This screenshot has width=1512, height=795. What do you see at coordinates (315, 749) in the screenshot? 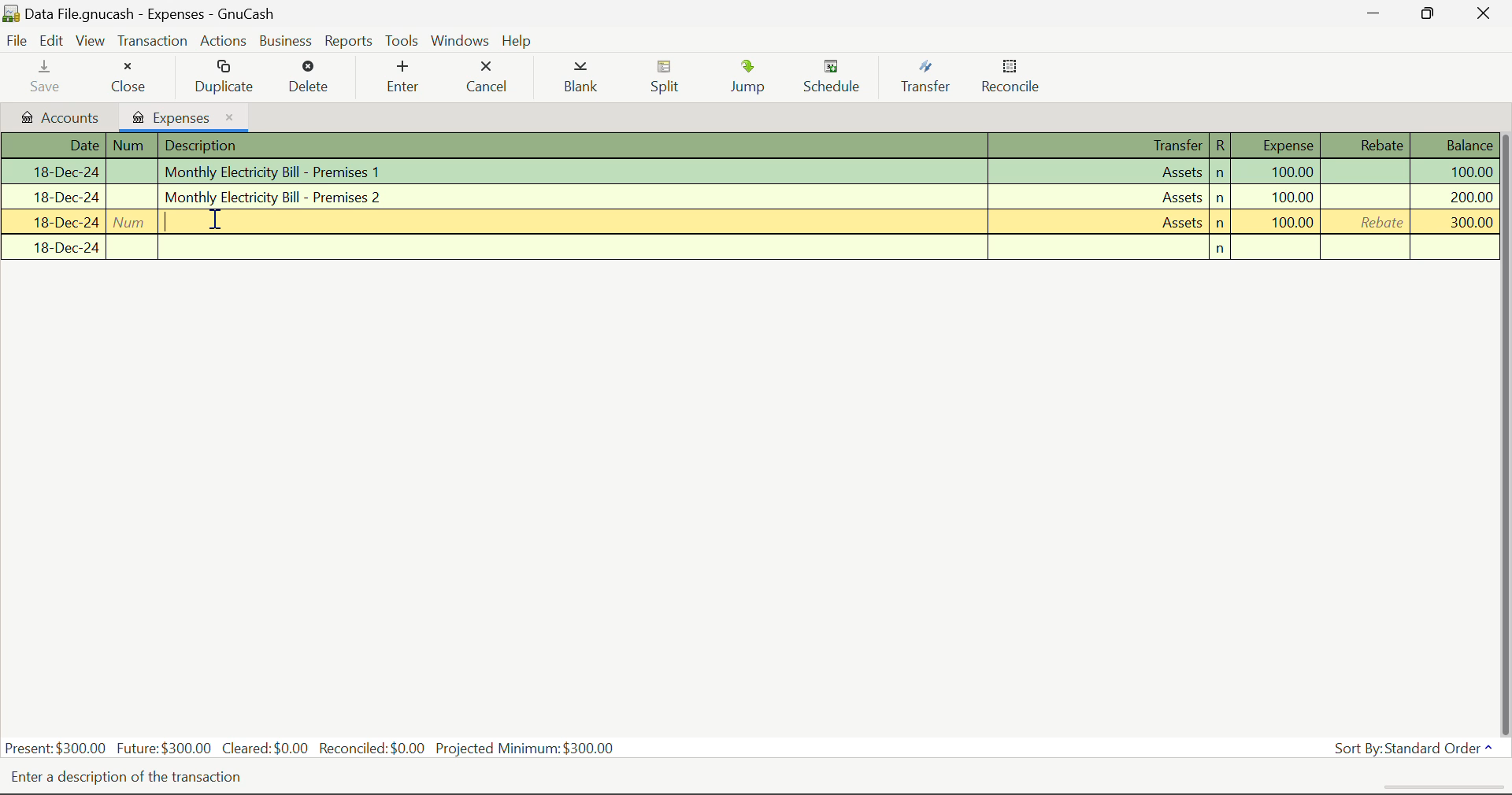
I see `Present: $300.00 Future:$300.00 Cleared:$0.00 Reconciled:$0.00 Projected Minimum: $300.00` at bounding box center [315, 749].